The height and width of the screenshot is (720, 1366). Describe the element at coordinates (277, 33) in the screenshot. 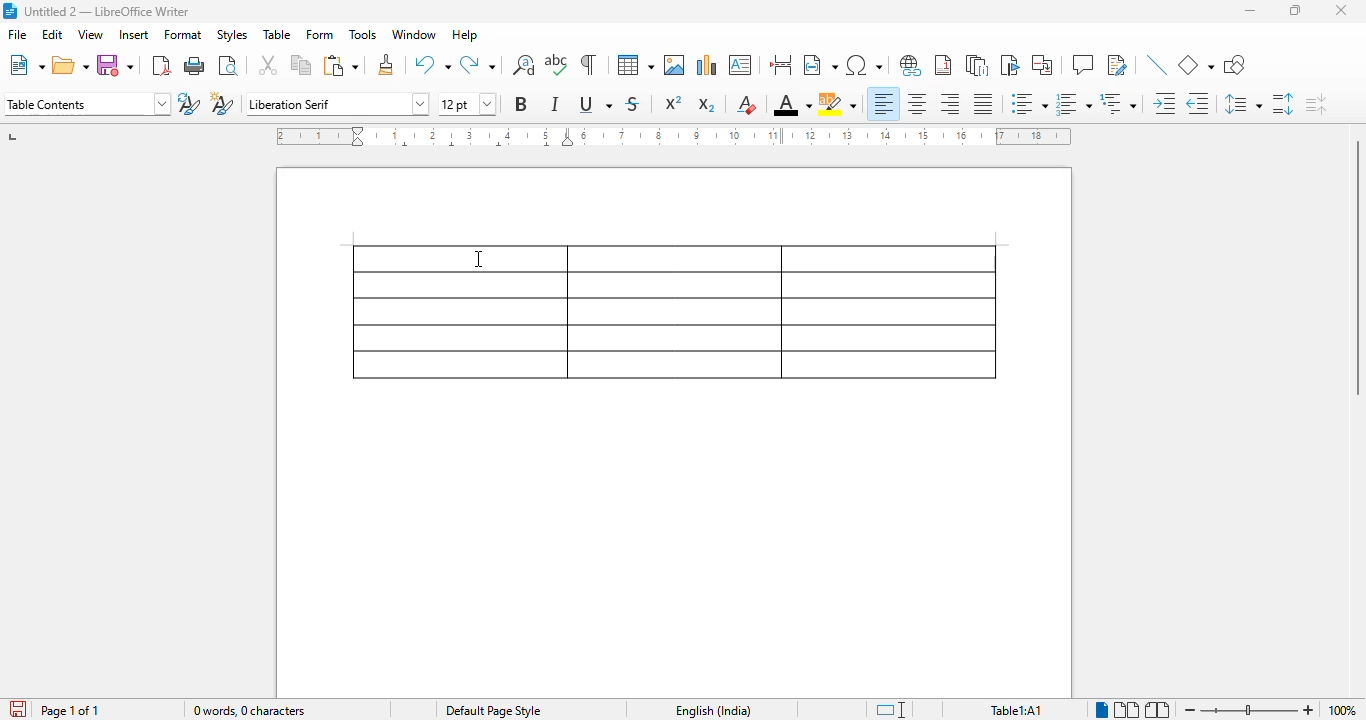

I see `table` at that location.